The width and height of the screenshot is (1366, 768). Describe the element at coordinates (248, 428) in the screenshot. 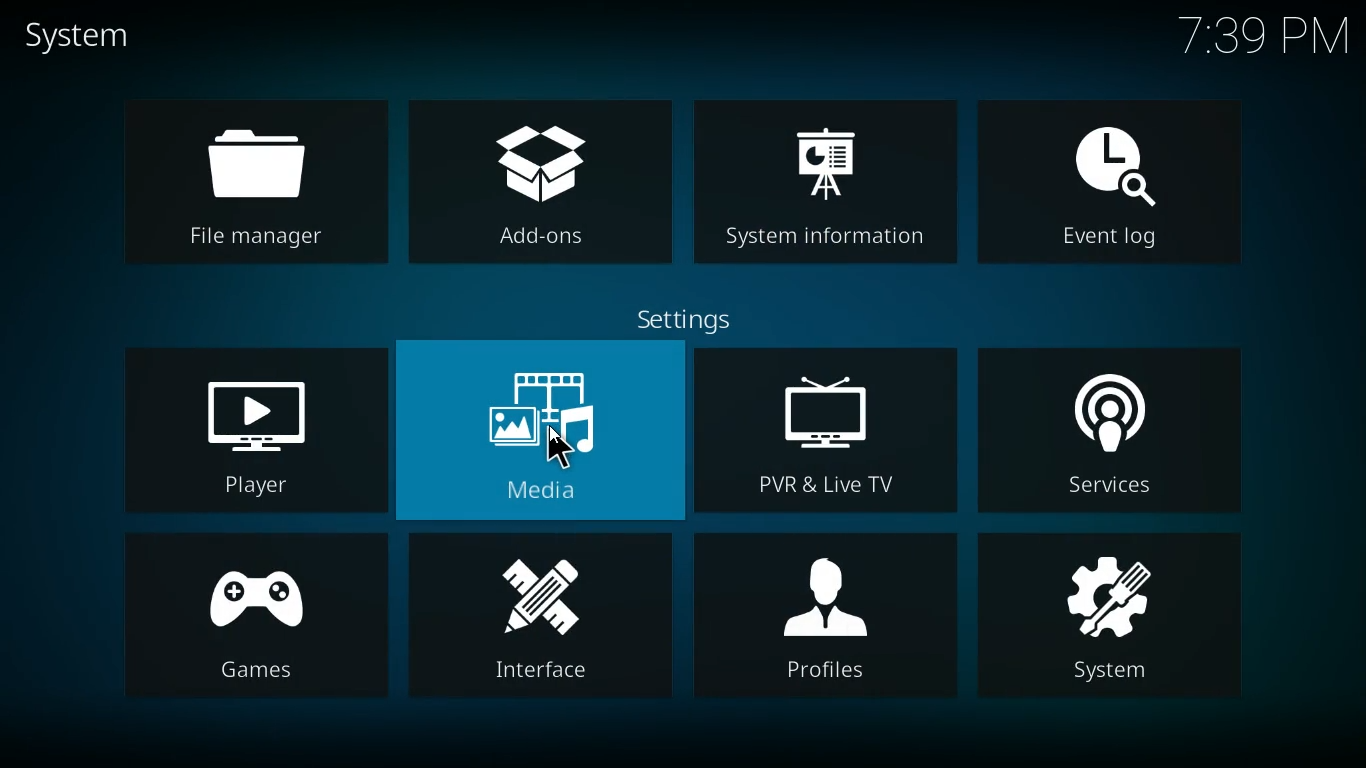

I see `player` at that location.